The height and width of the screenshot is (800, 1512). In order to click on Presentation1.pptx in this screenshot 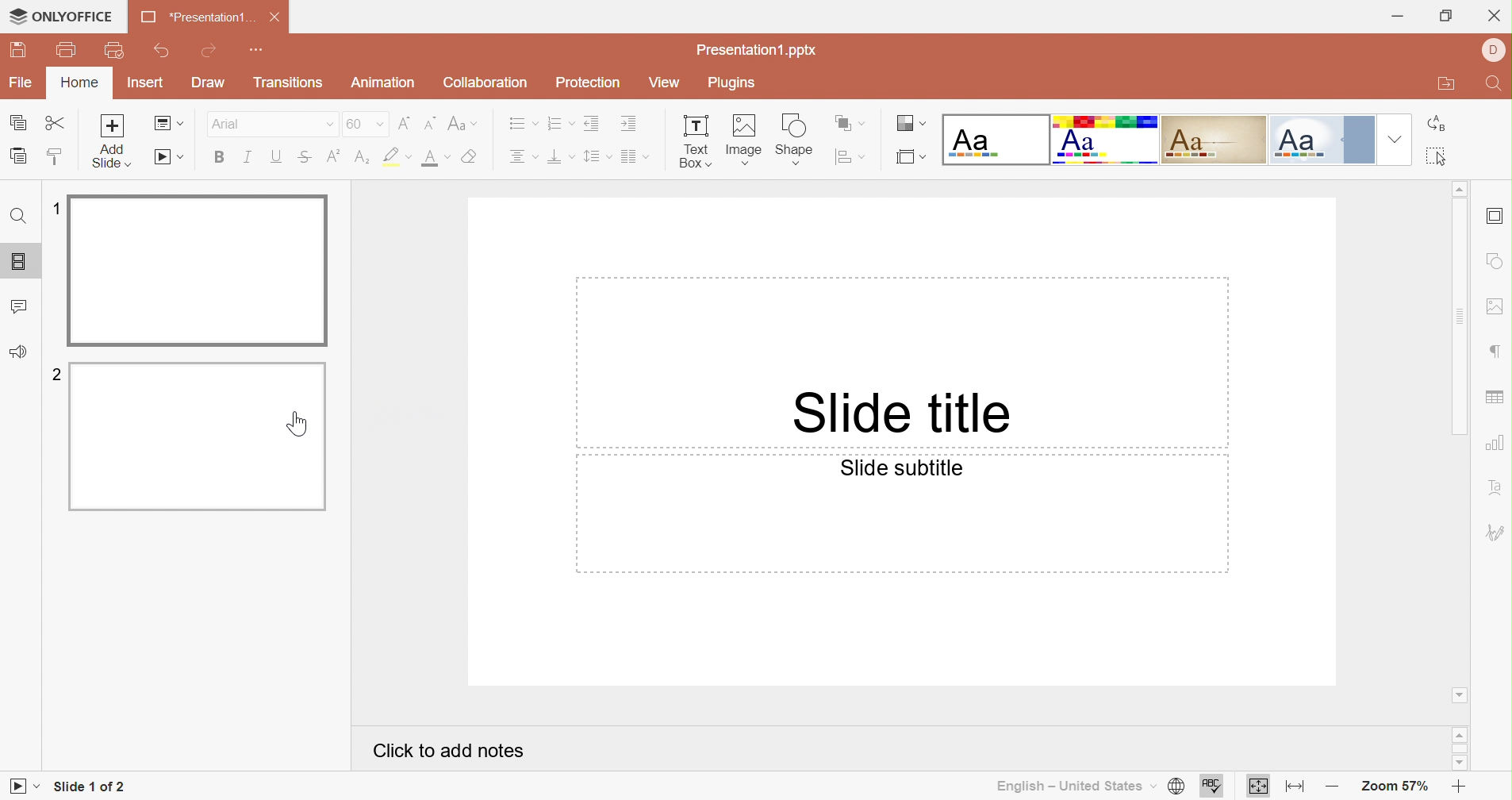, I will do `click(760, 49)`.